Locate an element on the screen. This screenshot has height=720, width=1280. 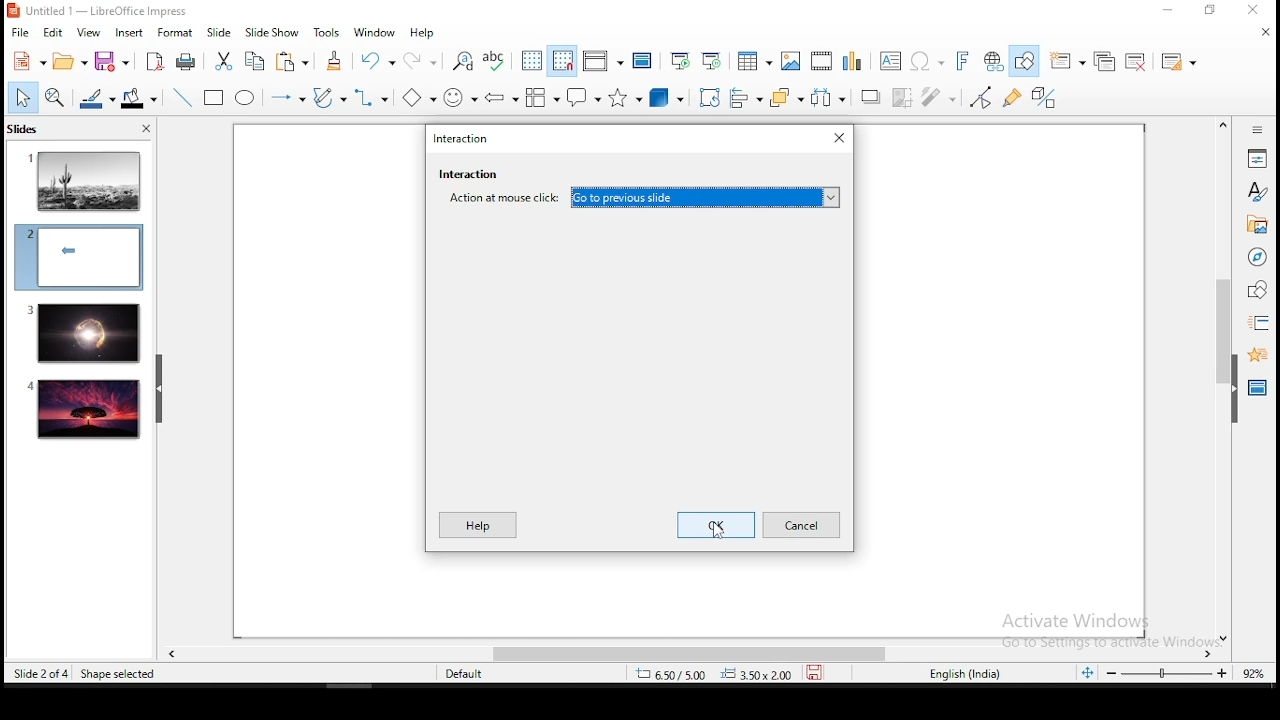
slide is located at coordinates (85, 410).